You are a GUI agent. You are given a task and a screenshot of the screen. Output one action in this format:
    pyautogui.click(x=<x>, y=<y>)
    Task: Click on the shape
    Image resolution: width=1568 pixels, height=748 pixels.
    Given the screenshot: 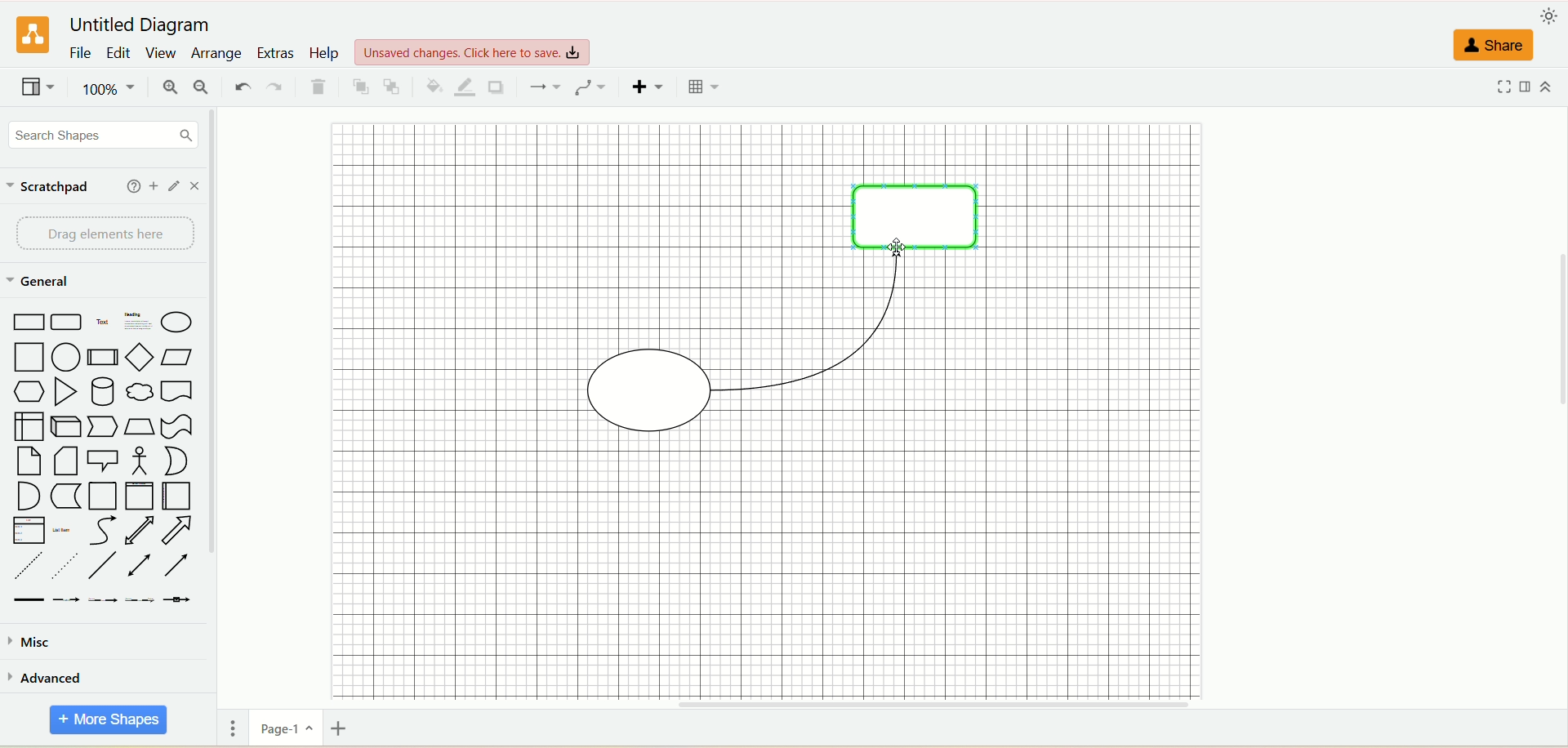 What is the action you would take?
    pyautogui.click(x=649, y=390)
    